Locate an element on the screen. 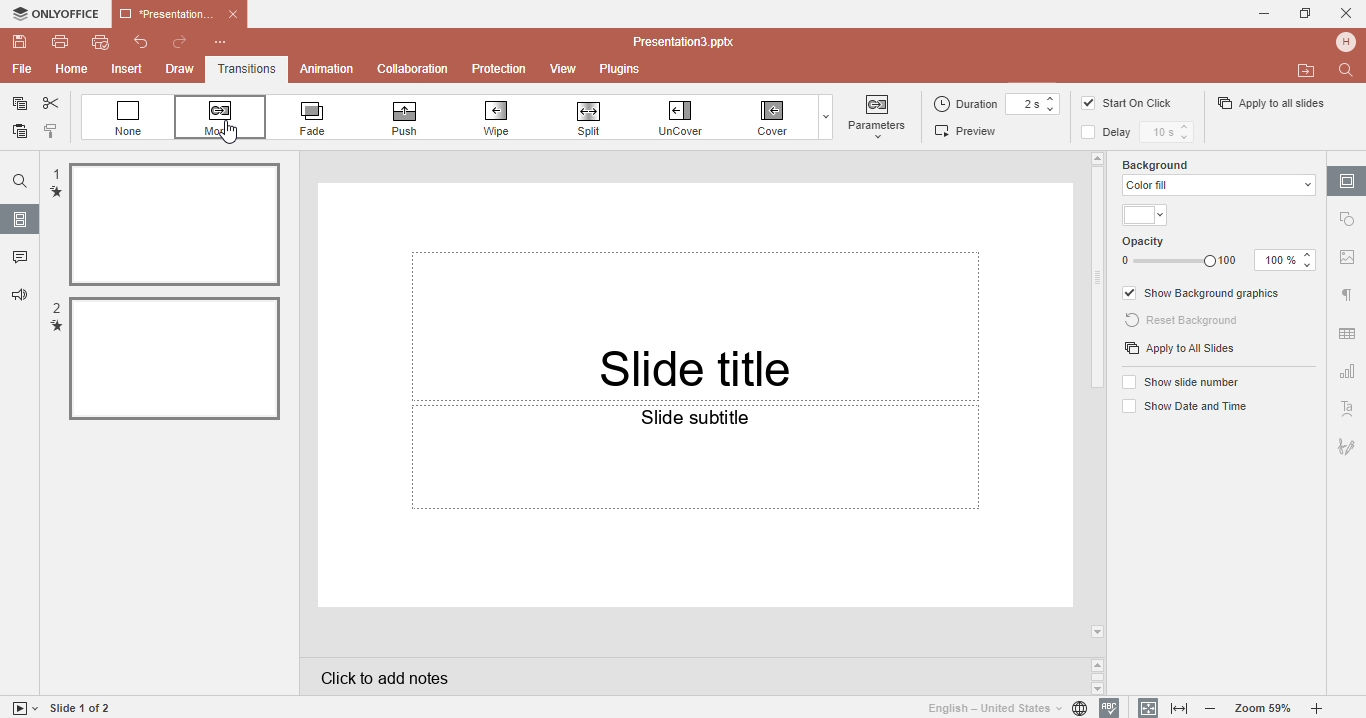 The image size is (1366, 718). Profile name is located at coordinates (1348, 41).